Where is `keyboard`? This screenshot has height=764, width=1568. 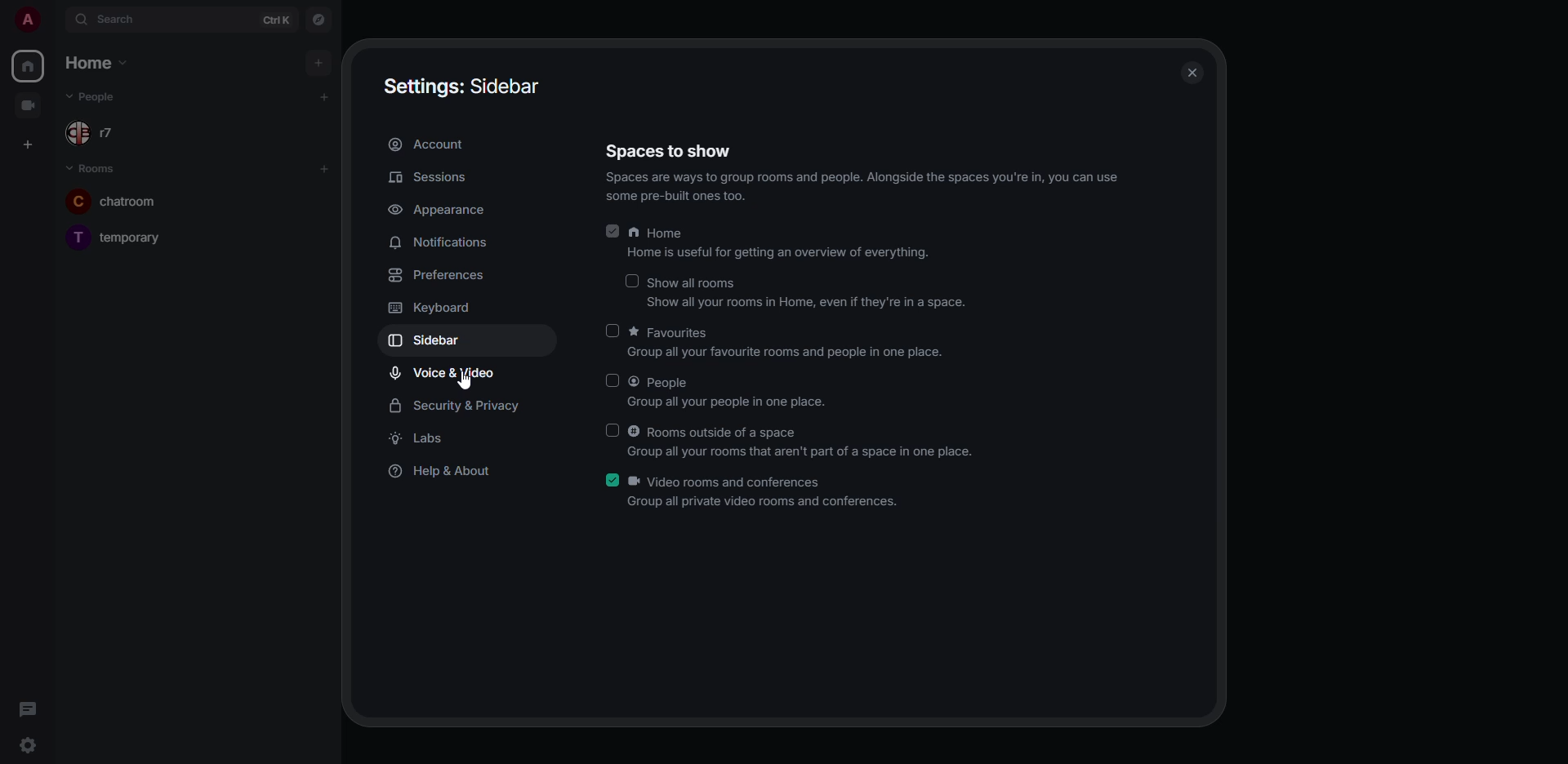 keyboard is located at coordinates (433, 308).